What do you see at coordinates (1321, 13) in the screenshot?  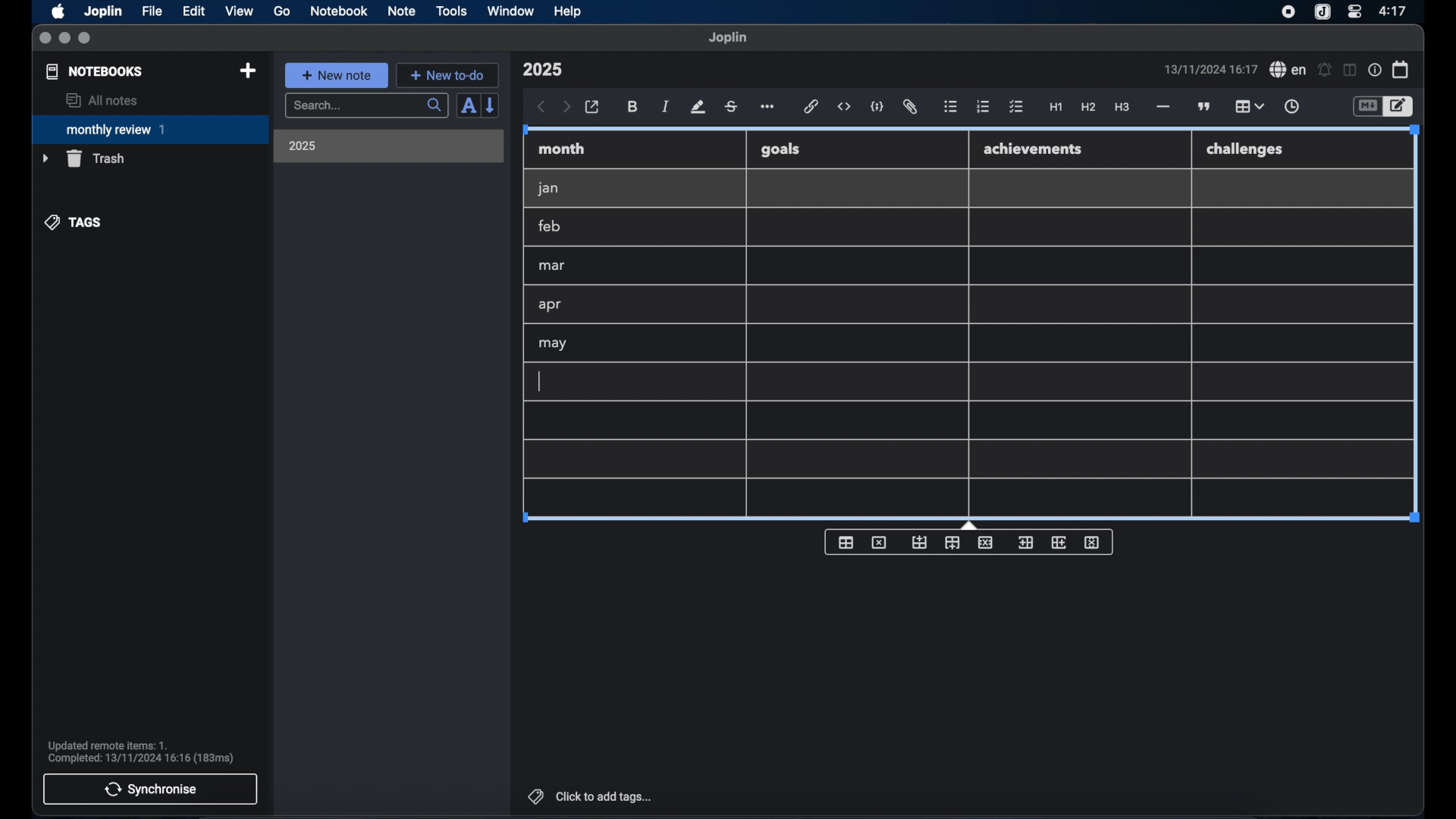 I see `joplin icon` at bounding box center [1321, 13].